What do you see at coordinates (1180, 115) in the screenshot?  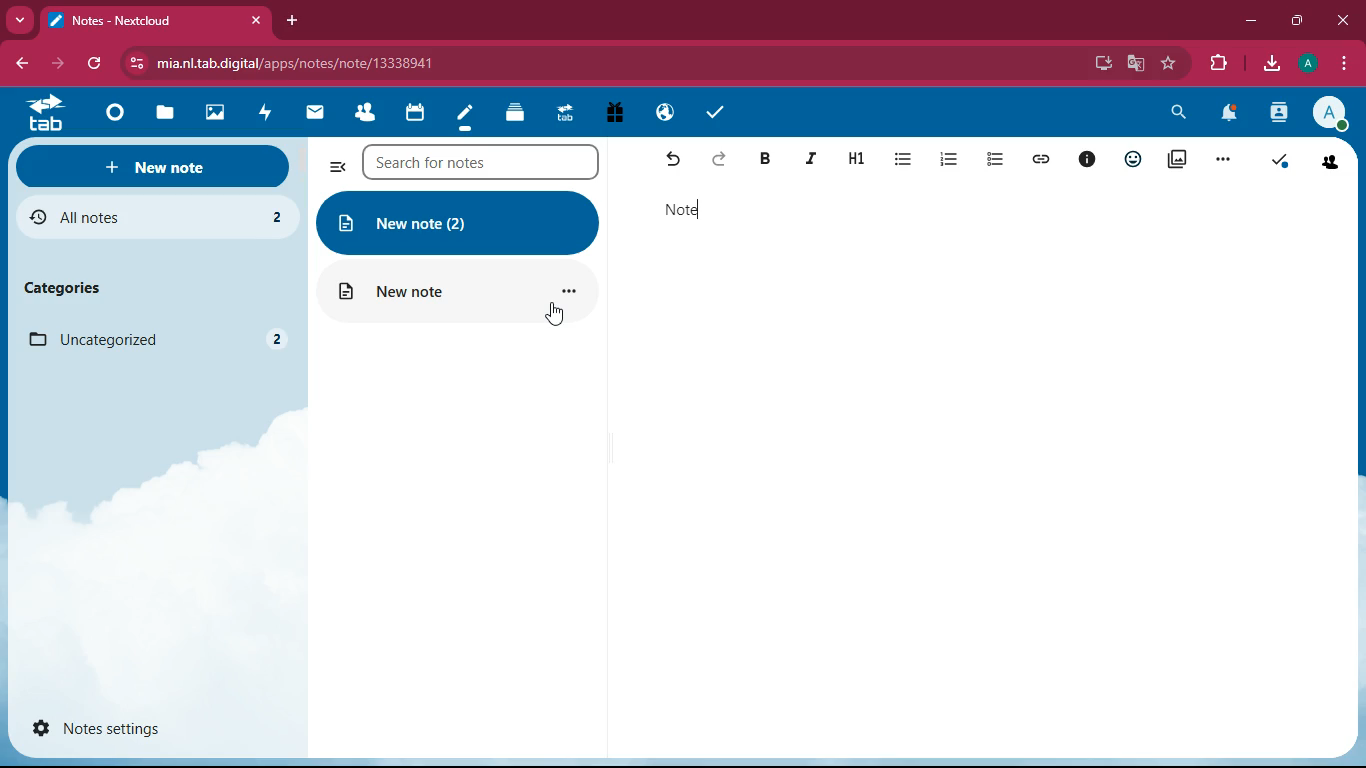 I see `search` at bounding box center [1180, 115].